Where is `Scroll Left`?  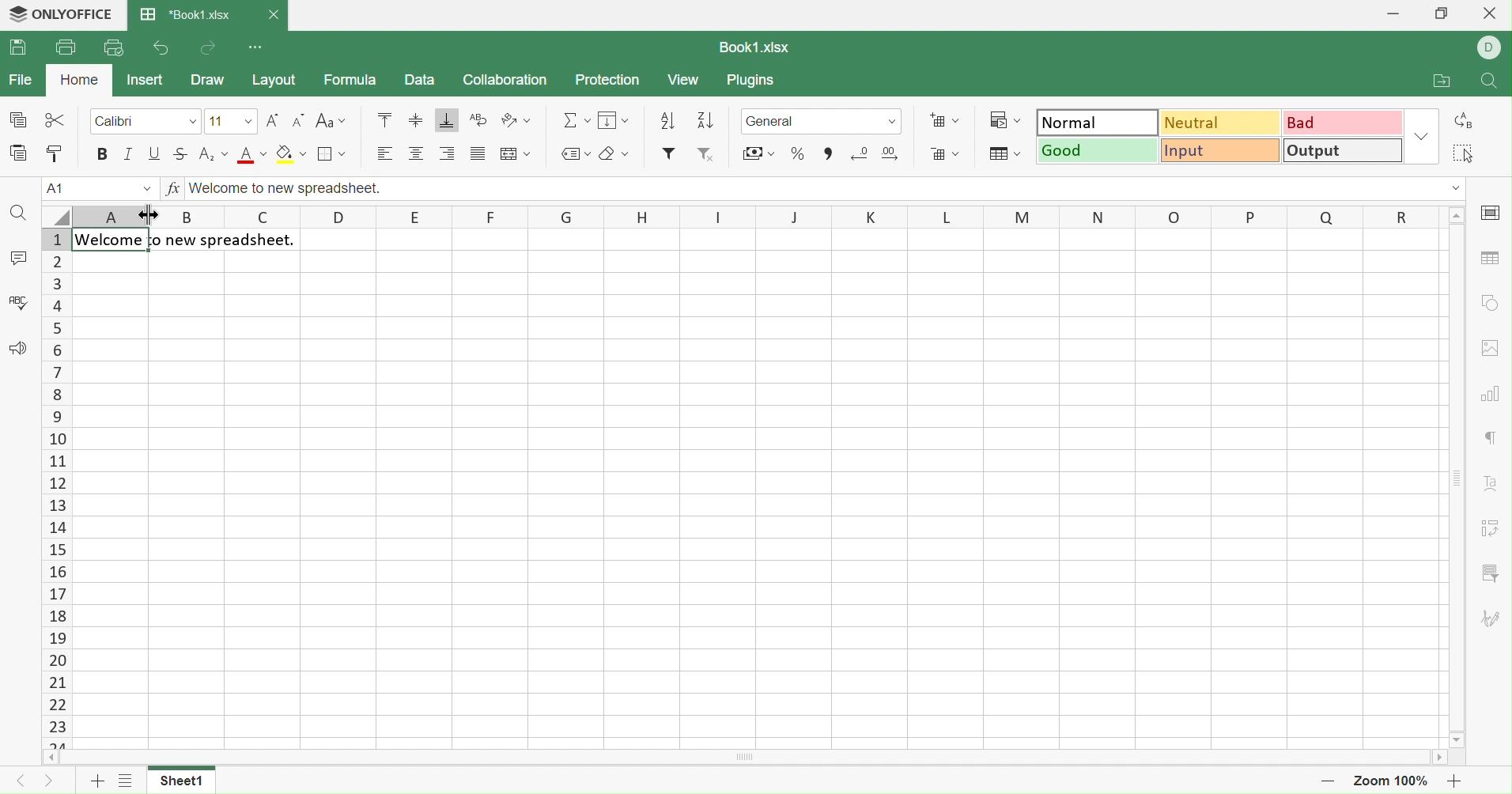 Scroll Left is located at coordinates (50, 758).